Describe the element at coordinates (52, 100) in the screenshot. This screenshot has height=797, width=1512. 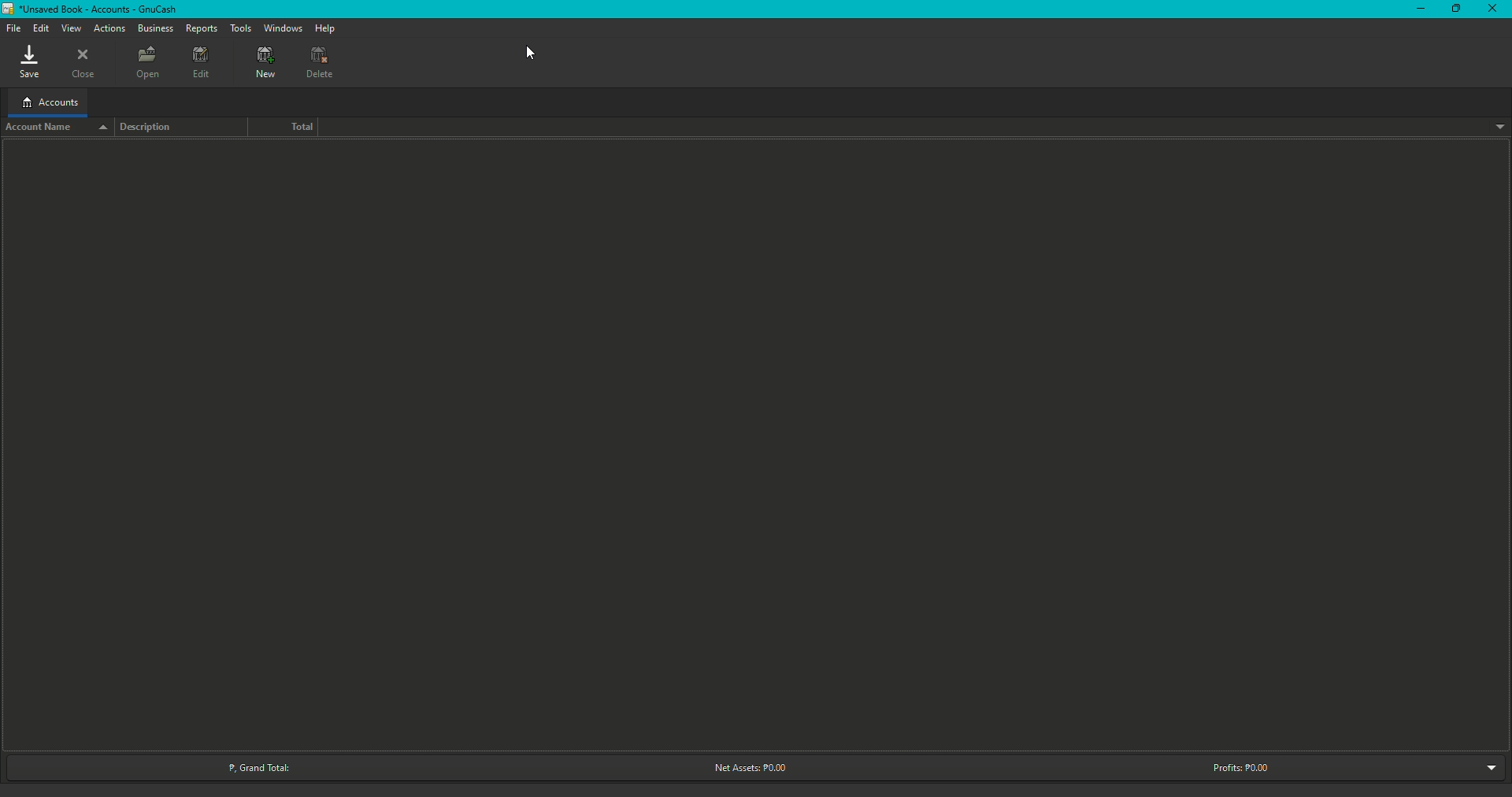
I see `Accounts` at that location.